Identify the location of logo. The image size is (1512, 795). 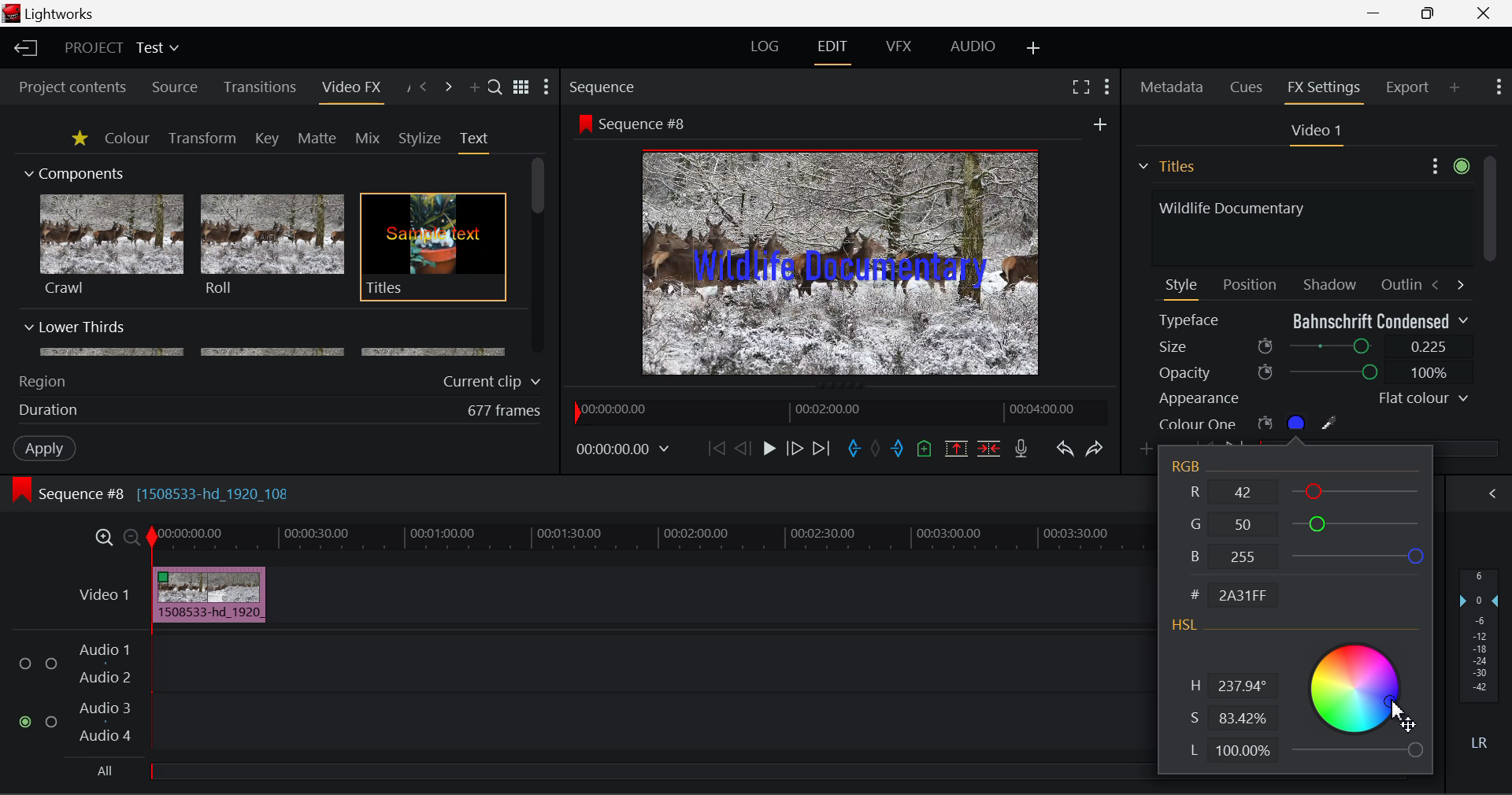
(13, 13).